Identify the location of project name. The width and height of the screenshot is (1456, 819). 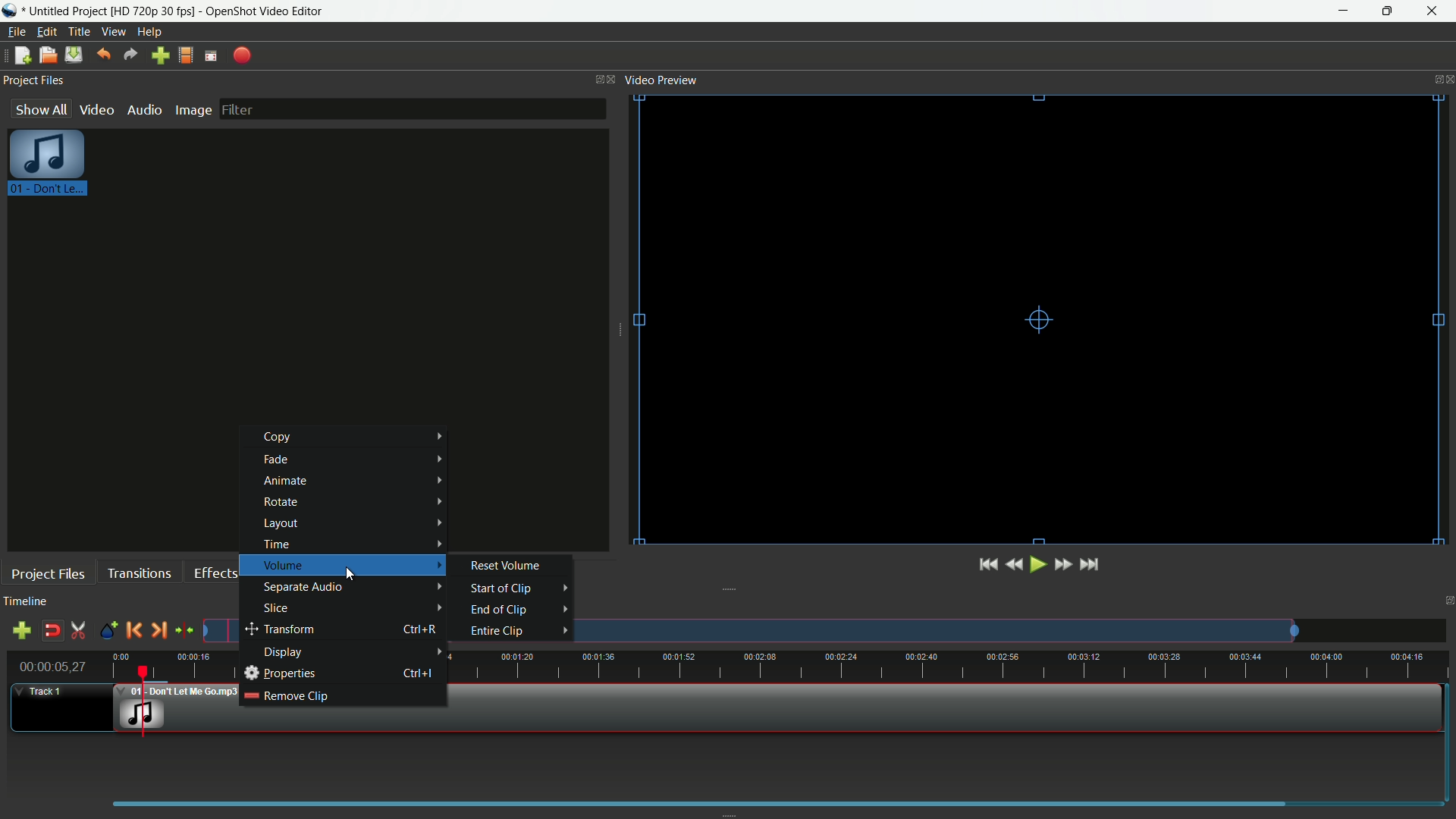
(69, 11).